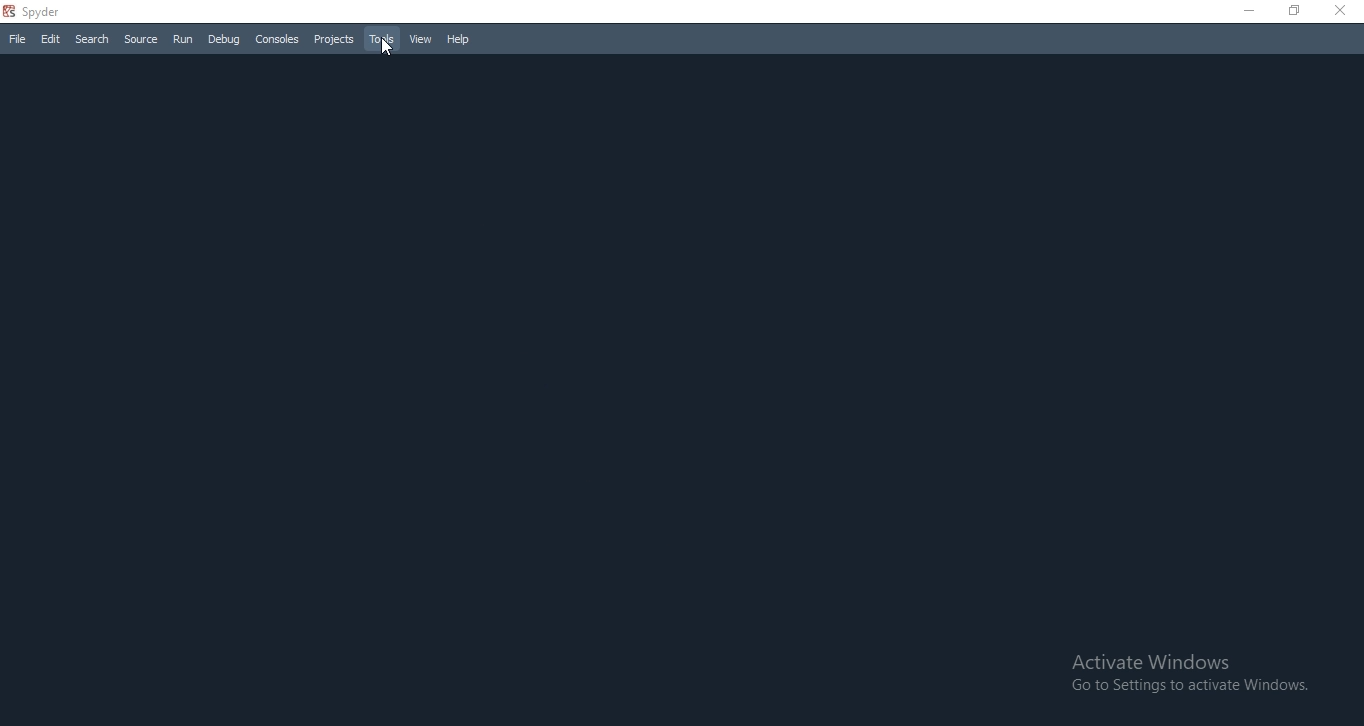 Image resolution: width=1364 pixels, height=726 pixels. What do you see at coordinates (1344, 13) in the screenshot?
I see `close` at bounding box center [1344, 13].